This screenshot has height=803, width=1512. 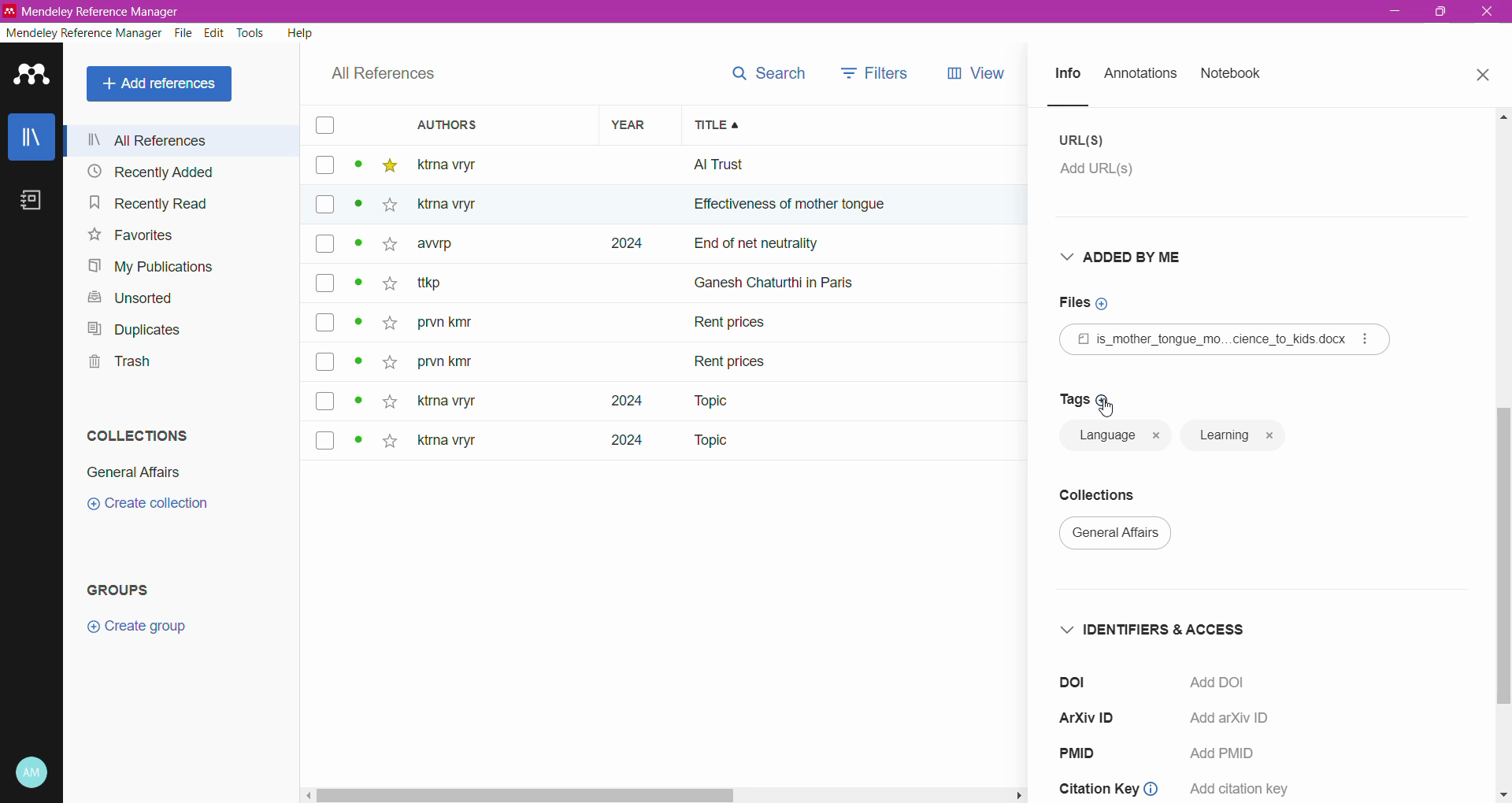 What do you see at coordinates (447, 444) in the screenshot?
I see `ktma vryr` at bounding box center [447, 444].